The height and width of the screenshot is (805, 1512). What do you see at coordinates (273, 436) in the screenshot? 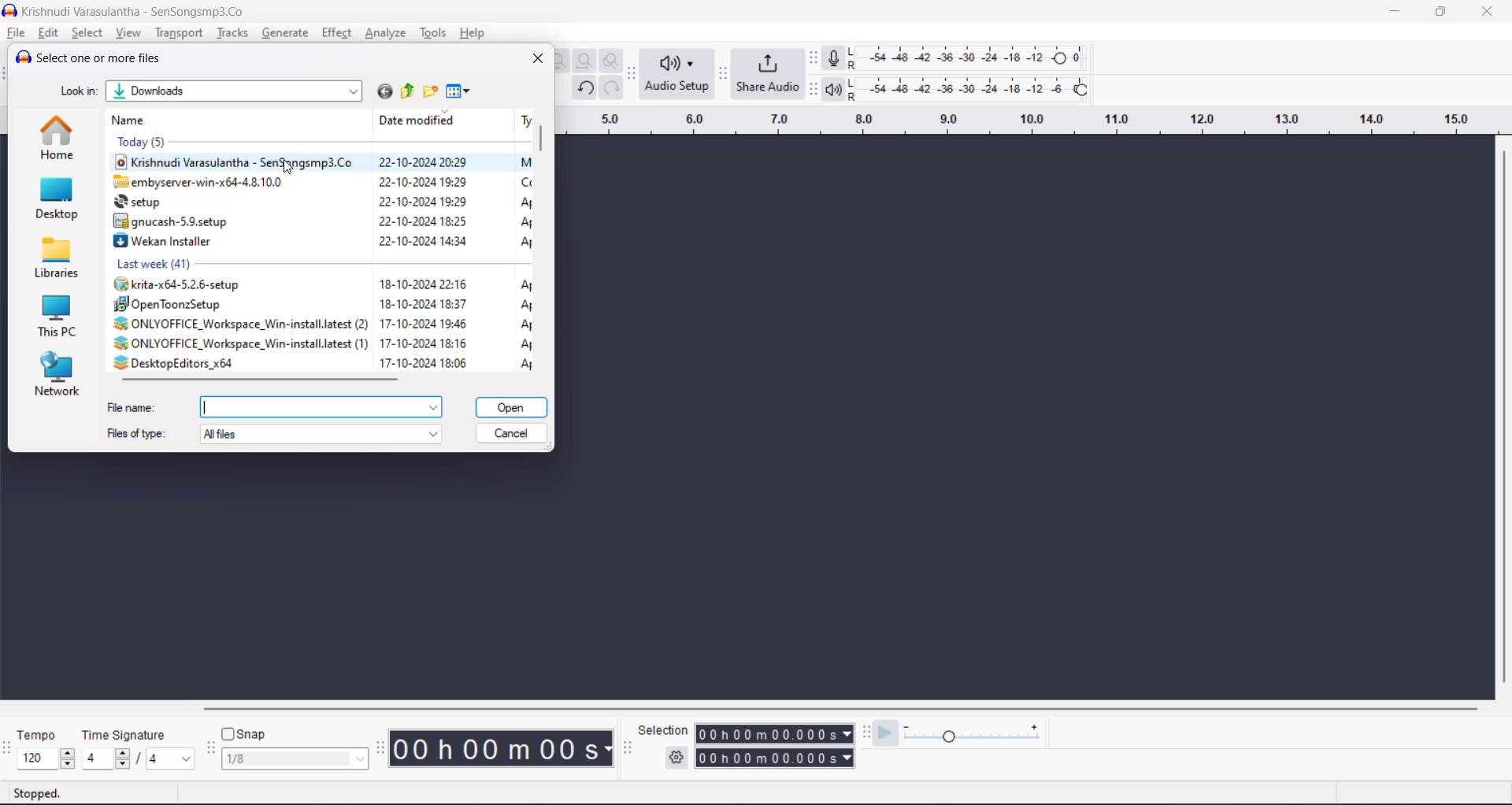
I see `file type` at bounding box center [273, 436].